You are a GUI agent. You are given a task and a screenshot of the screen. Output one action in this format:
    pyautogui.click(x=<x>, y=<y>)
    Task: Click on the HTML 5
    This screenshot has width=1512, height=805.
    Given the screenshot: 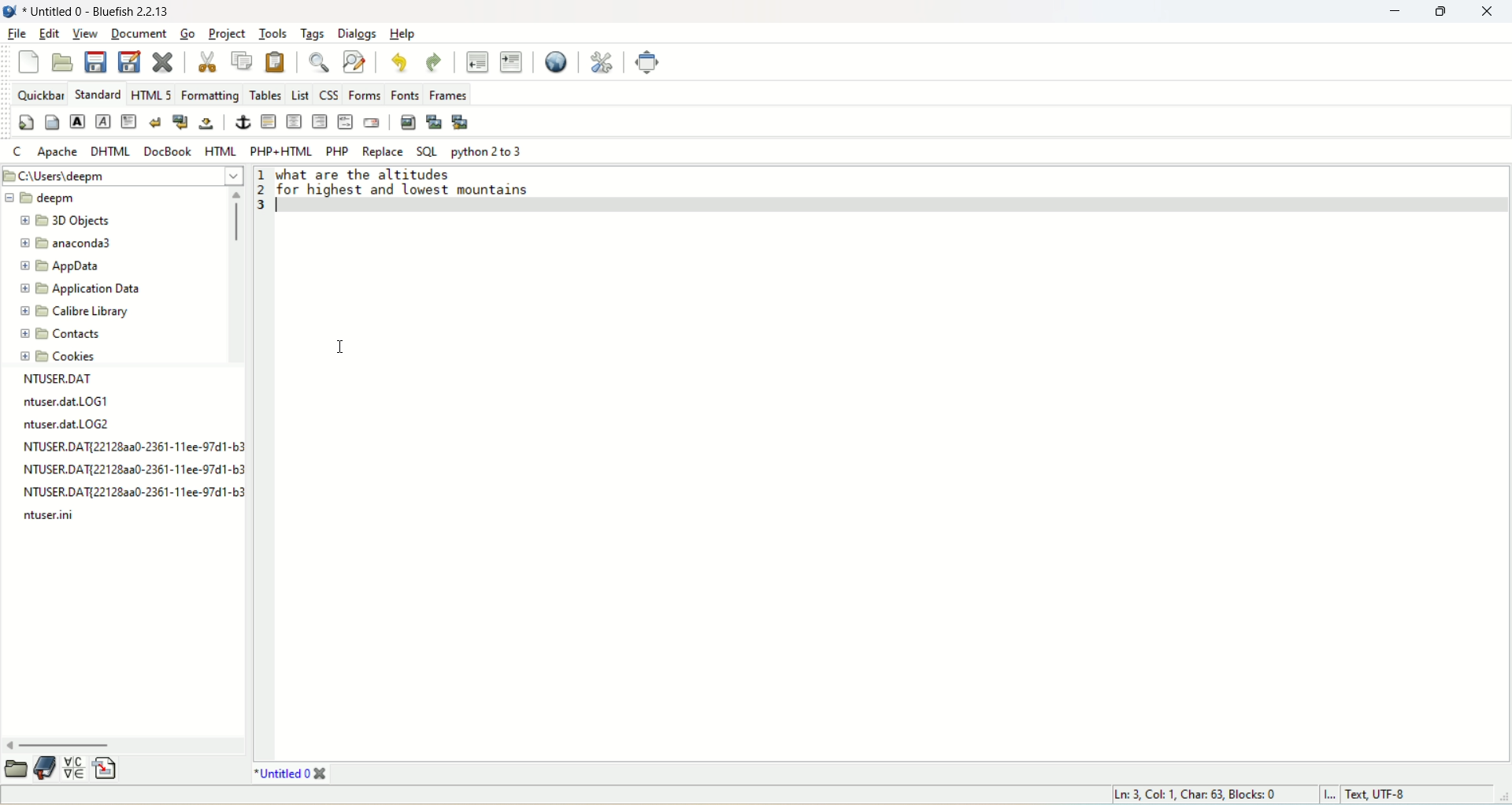 What is the action you would take?
    pyautogui.click(x=150, y=93)
    